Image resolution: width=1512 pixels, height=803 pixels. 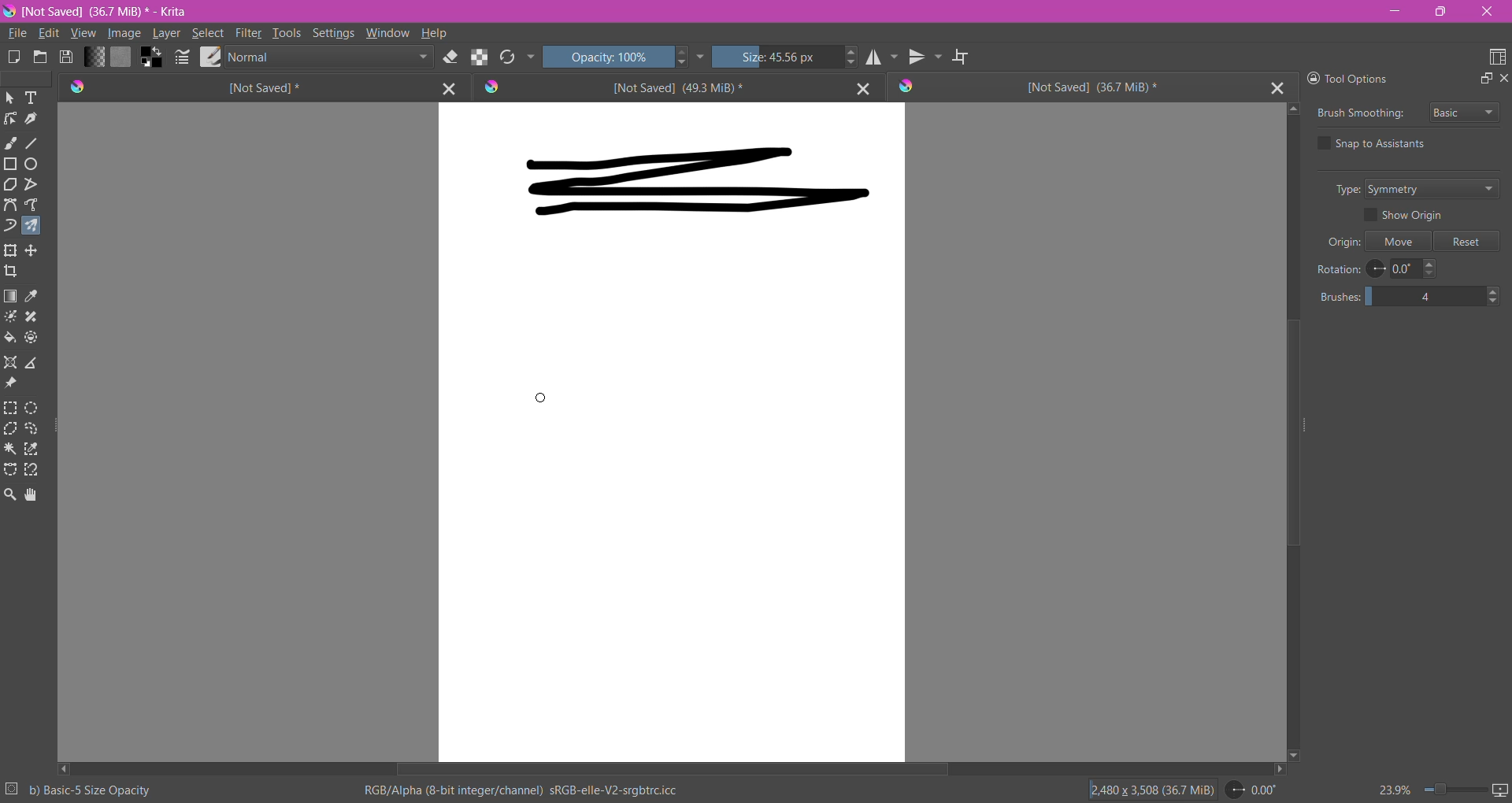 What do you see at coordinates (16, 34) in the screenshot?
I see `File` at bounding box center [16, 34].